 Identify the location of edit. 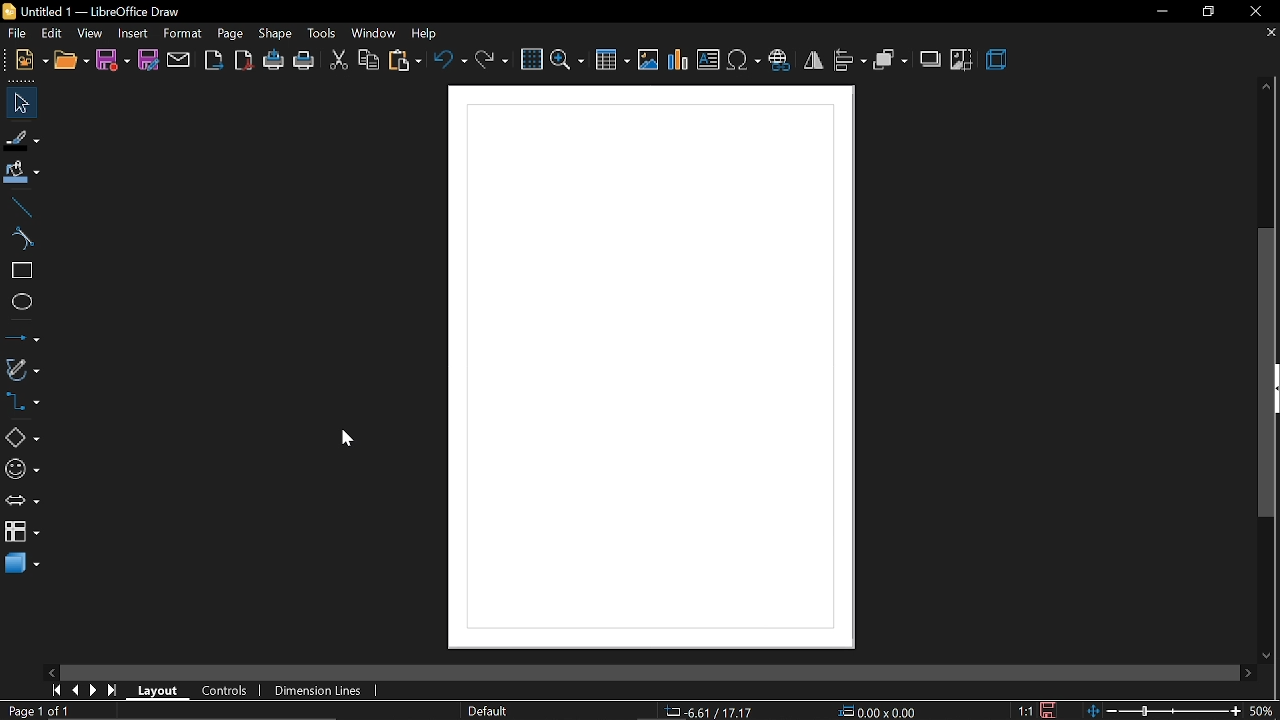
(53, 34).